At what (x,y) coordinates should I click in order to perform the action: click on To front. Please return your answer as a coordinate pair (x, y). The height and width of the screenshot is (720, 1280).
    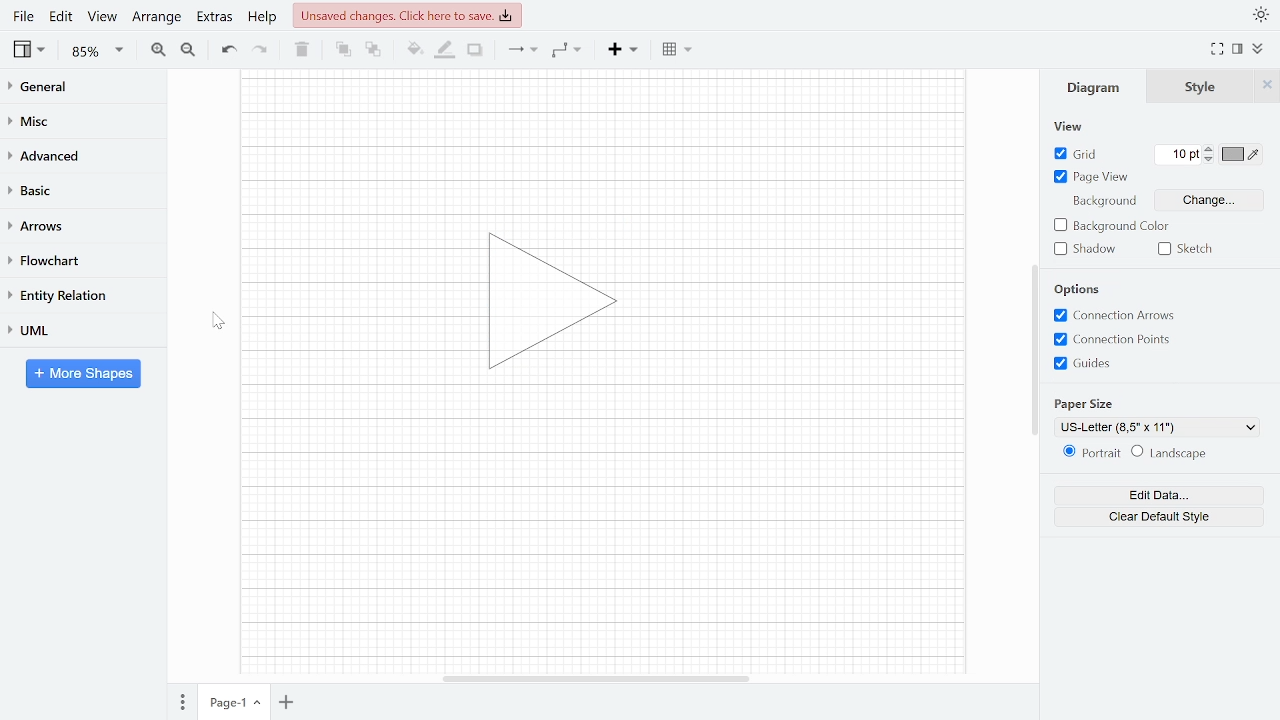
    Looking at the image, I should click on (343, 49).